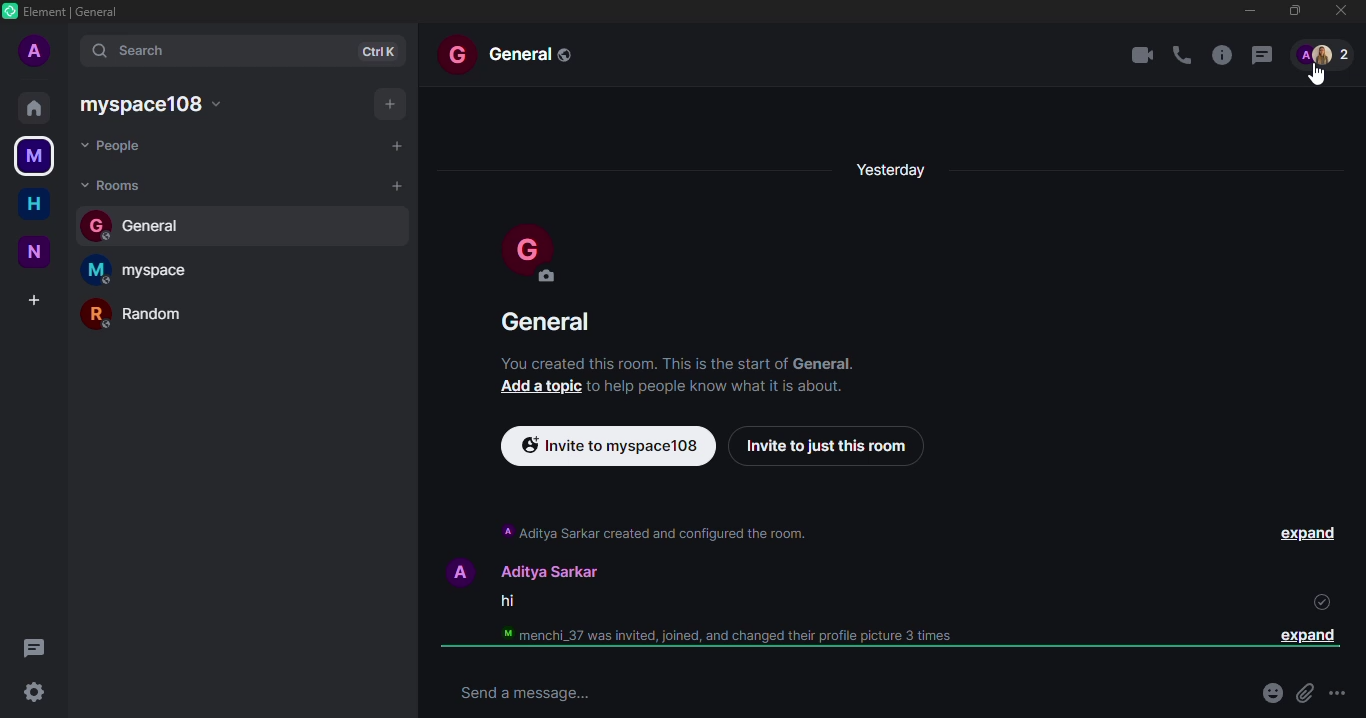 This screenshot has height=718, width=1366. I want to click on cursor, so click(1321, 75).